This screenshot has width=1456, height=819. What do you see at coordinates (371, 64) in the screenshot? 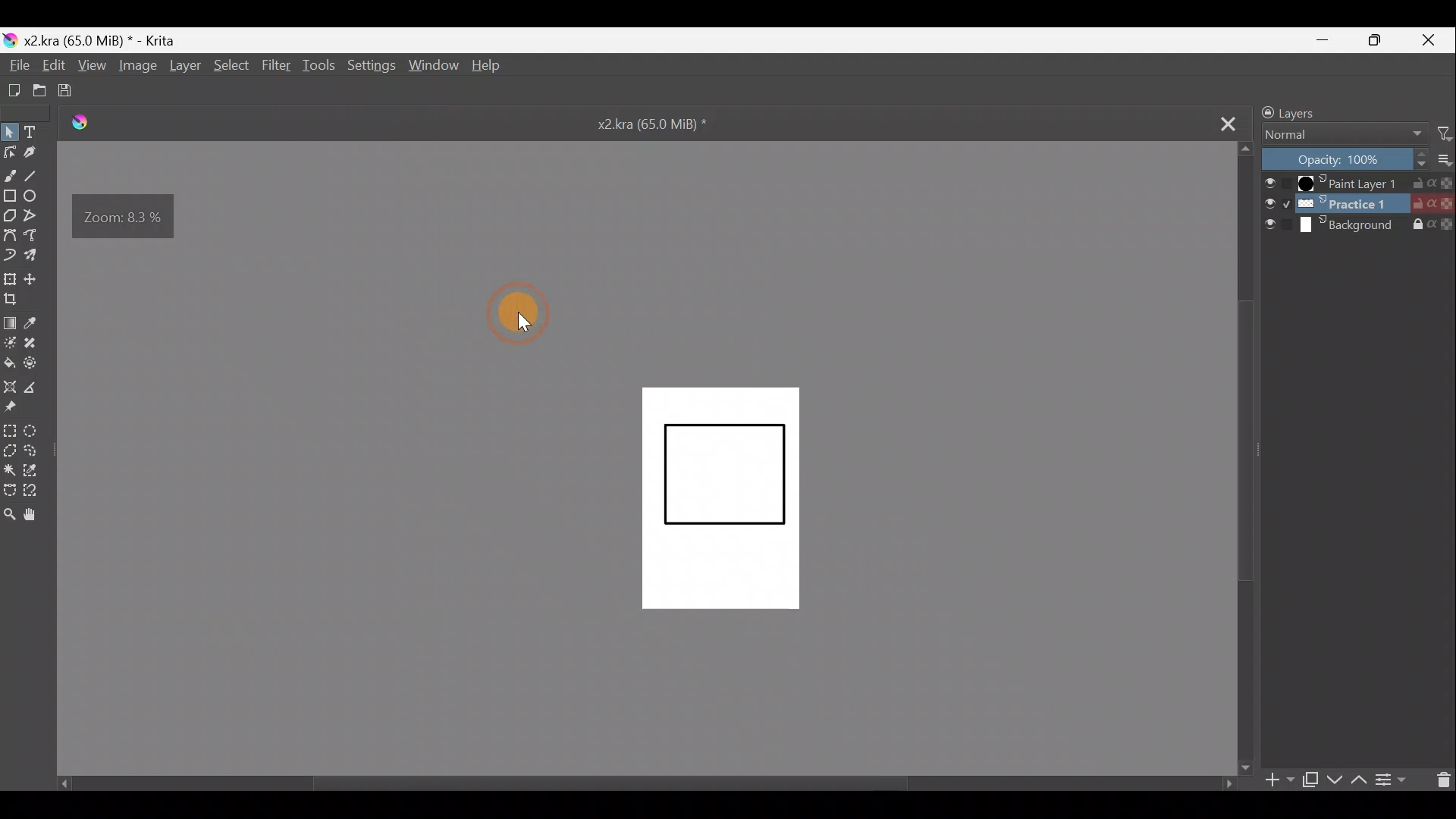
I see `Settings` at bounding box center [371, 64].